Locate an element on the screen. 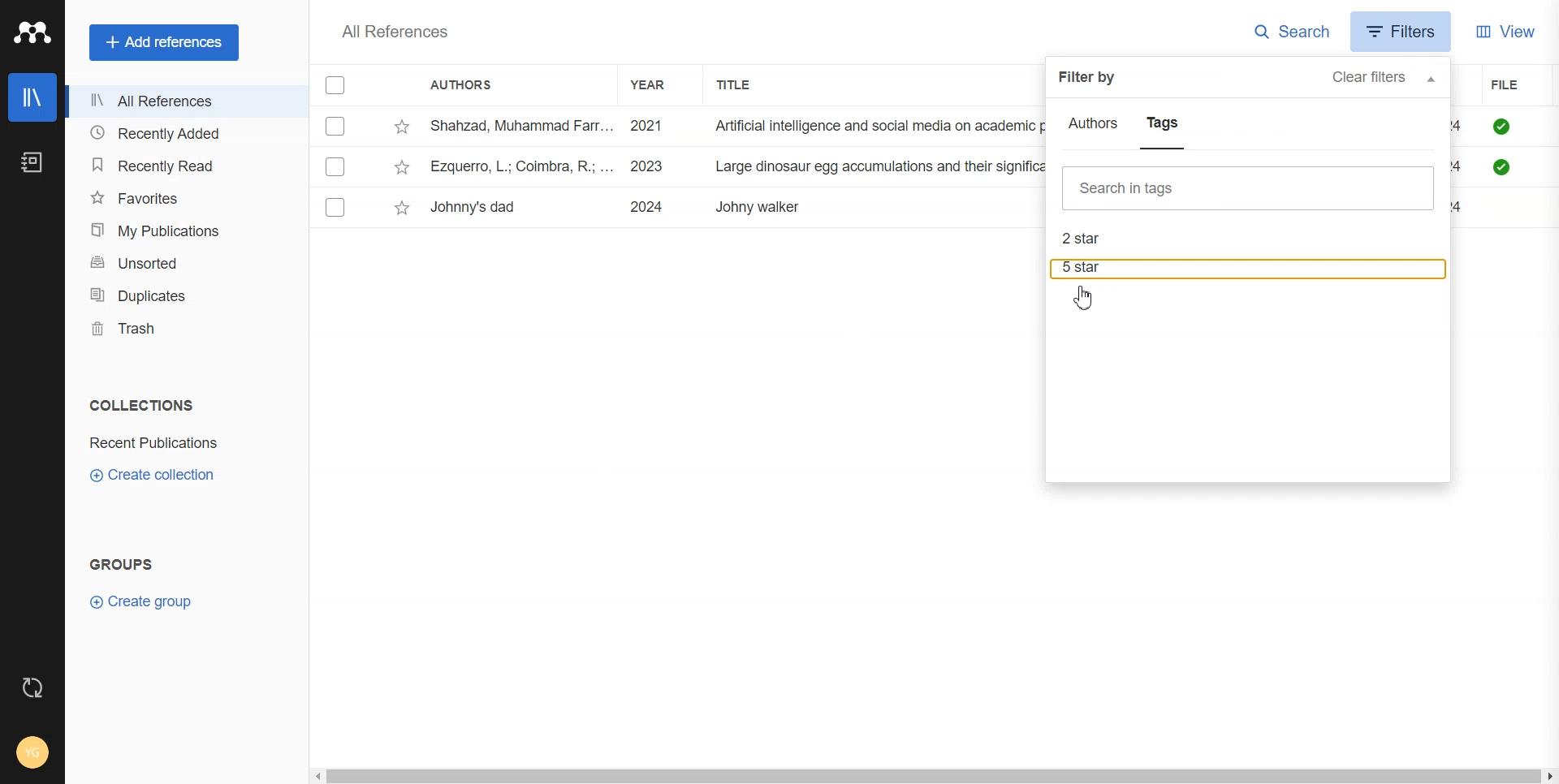 The image size is (1559, 784). 5 Star is located at coordinates (1250, 269).